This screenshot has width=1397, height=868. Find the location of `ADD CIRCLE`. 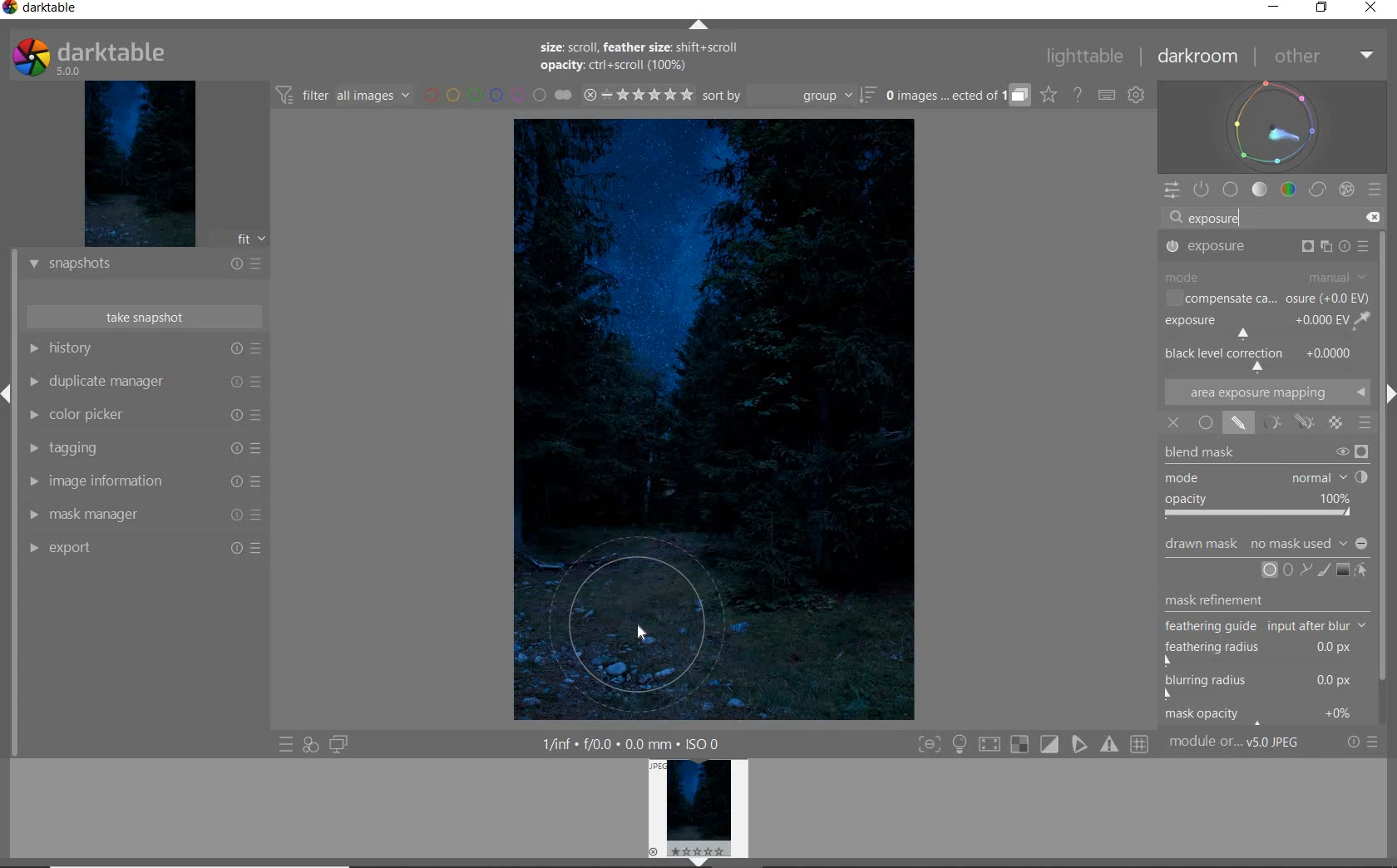

ADD CIRCLE is located at coordinates (1271, 572).